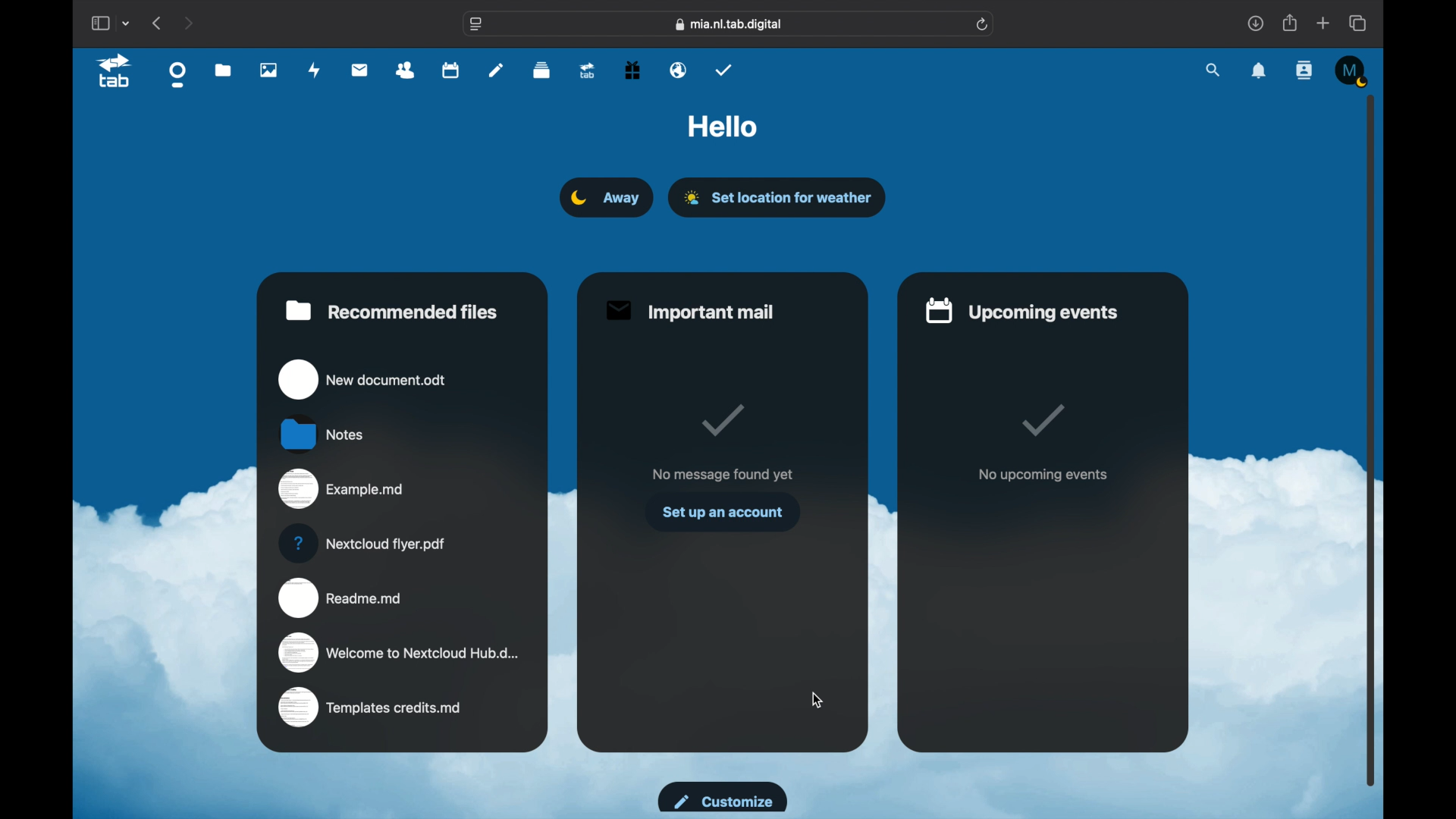 This screenshot has width=1456, height=819. I want to click on show tab overview, so click(1357, 23).